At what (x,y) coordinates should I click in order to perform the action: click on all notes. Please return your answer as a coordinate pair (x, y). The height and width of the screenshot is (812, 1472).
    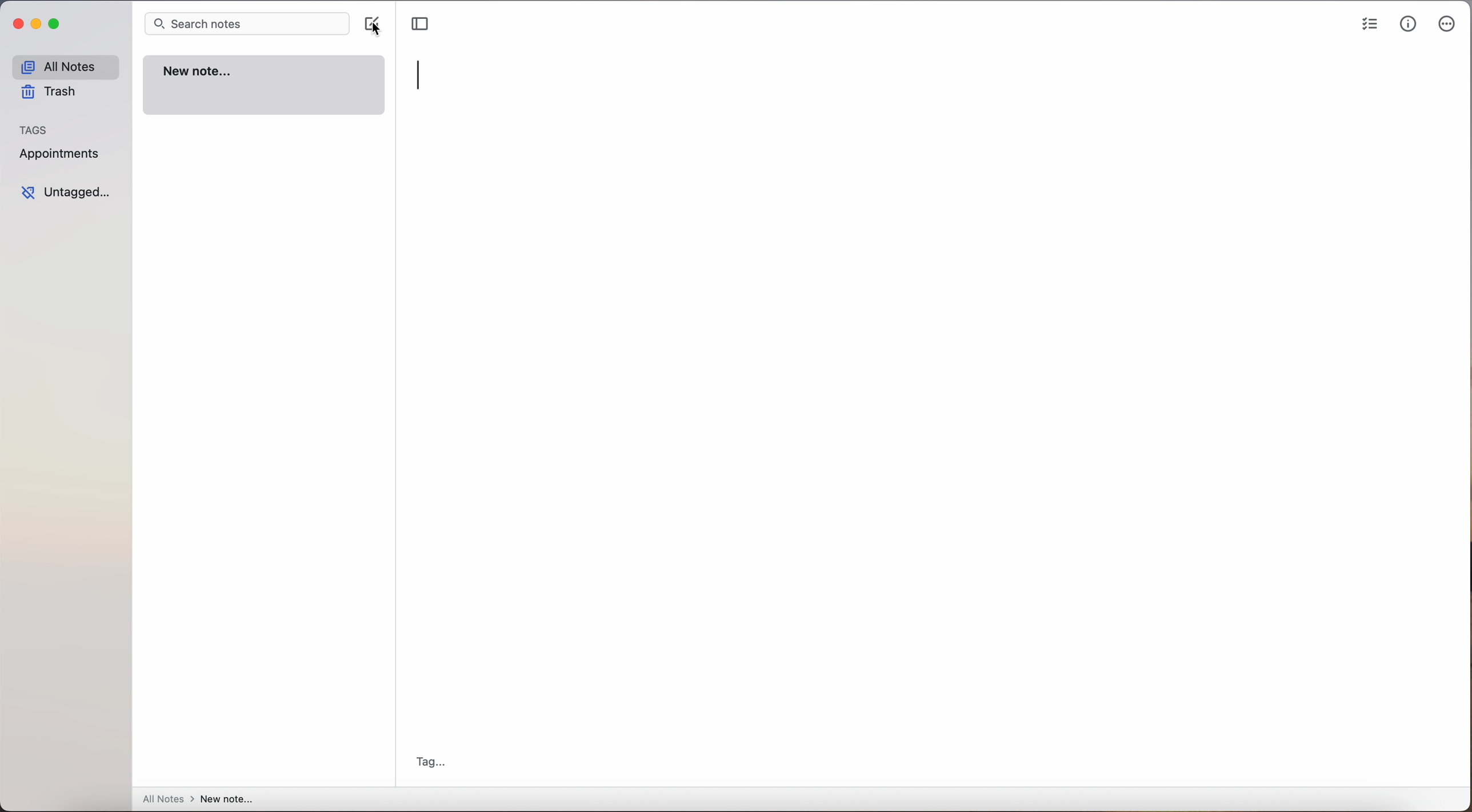
    Looking at the image, I should click on (67, 65).